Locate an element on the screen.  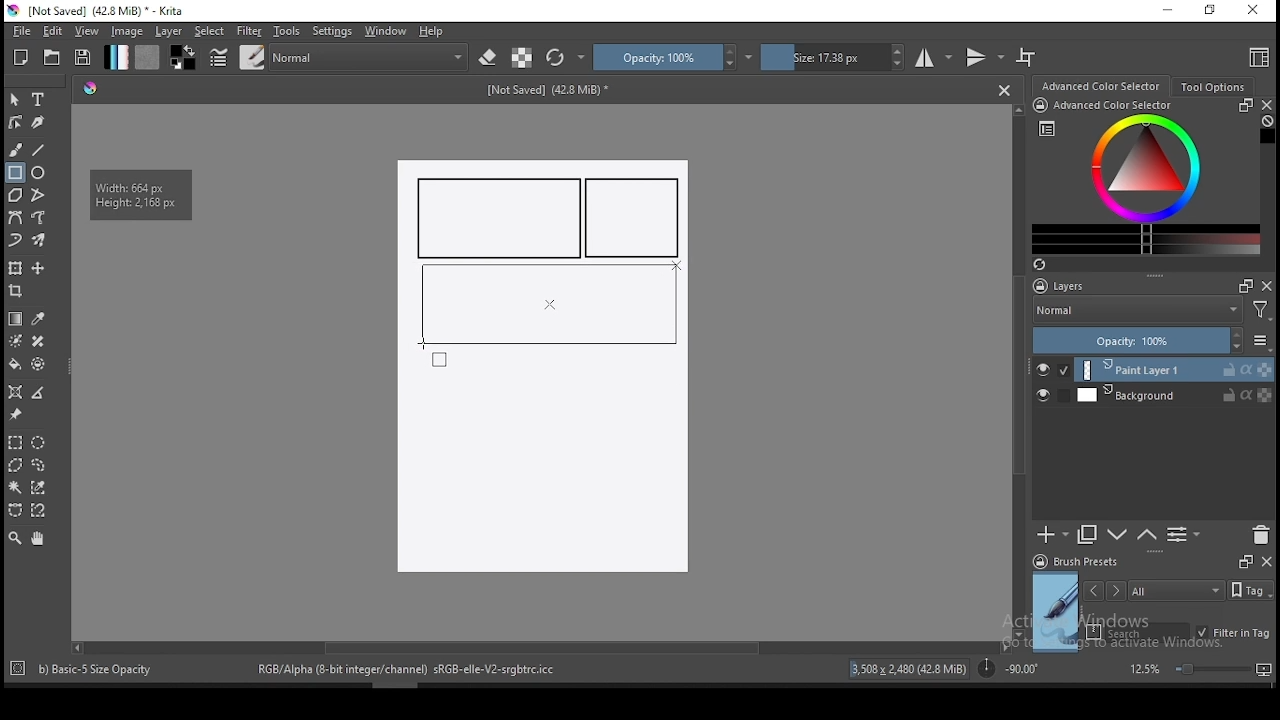
size is located at coordinates (833, 57).